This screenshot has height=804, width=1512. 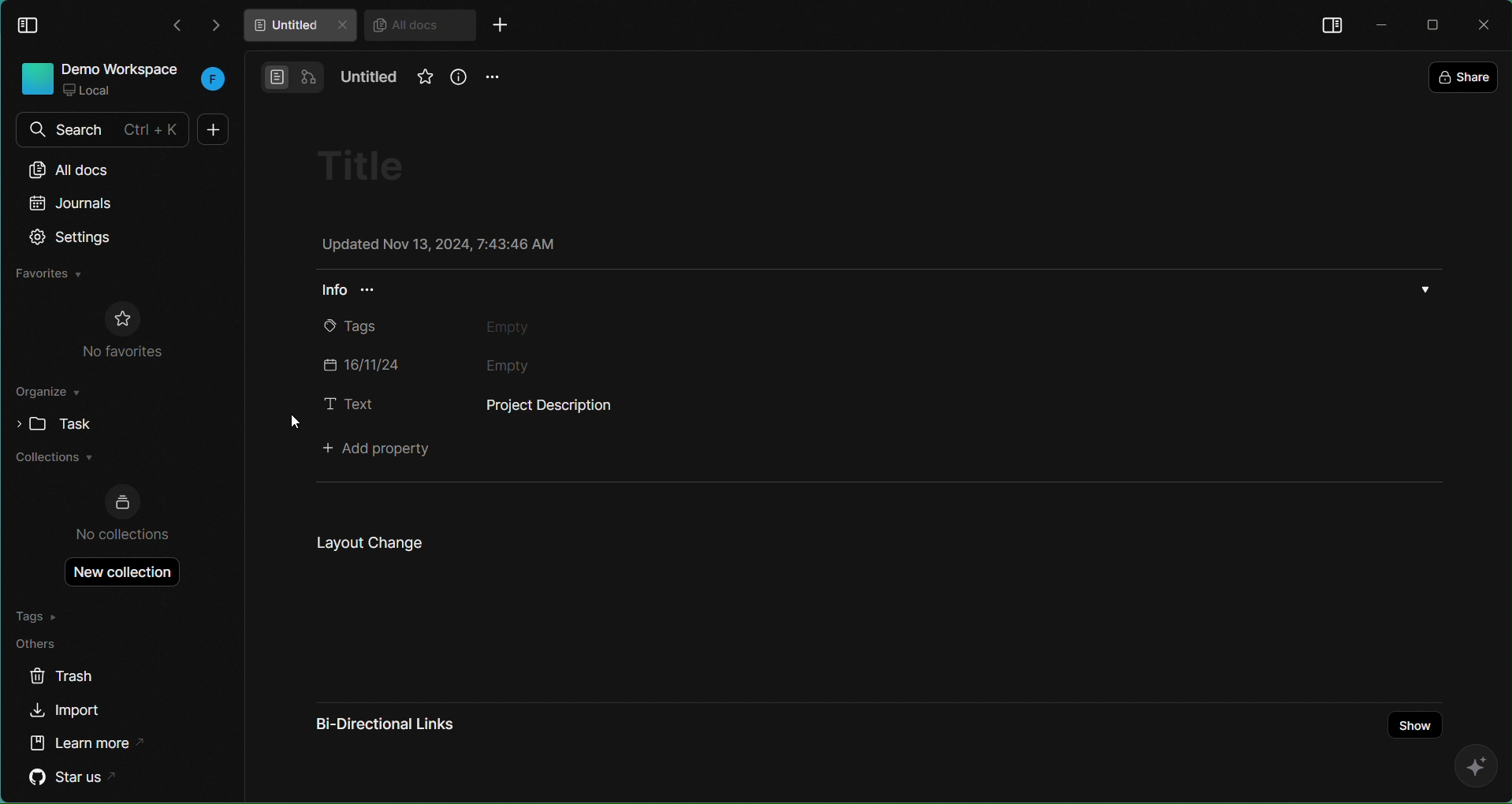 What do you see at coordinates (436, 246) in the screenshot?
I see `Updated Nov 13, 2024, 7:43:46 AM` at bounding box center [436, 246].